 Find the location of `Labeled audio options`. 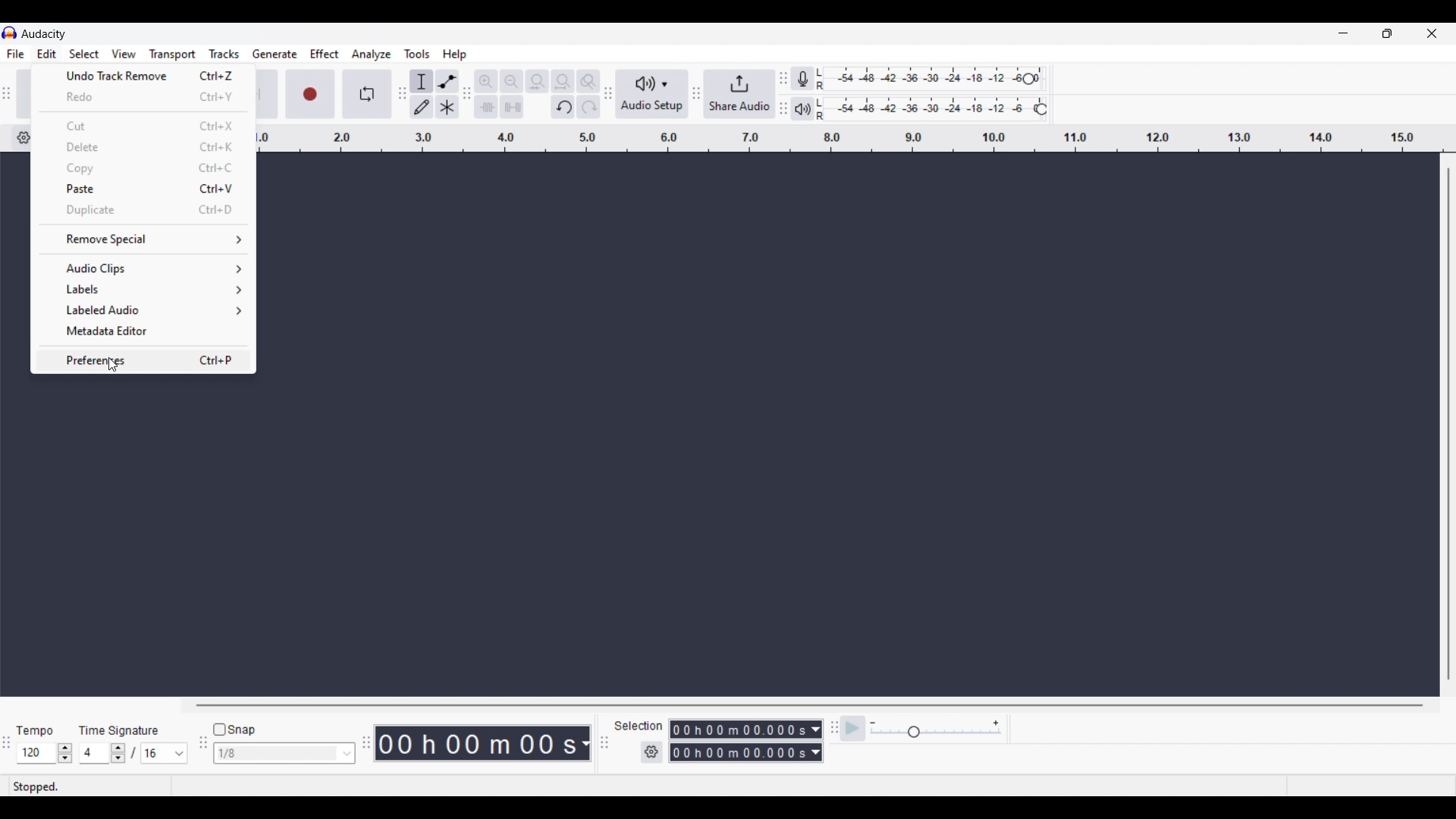

Labeled audio options is located at coordinates (144, 310).